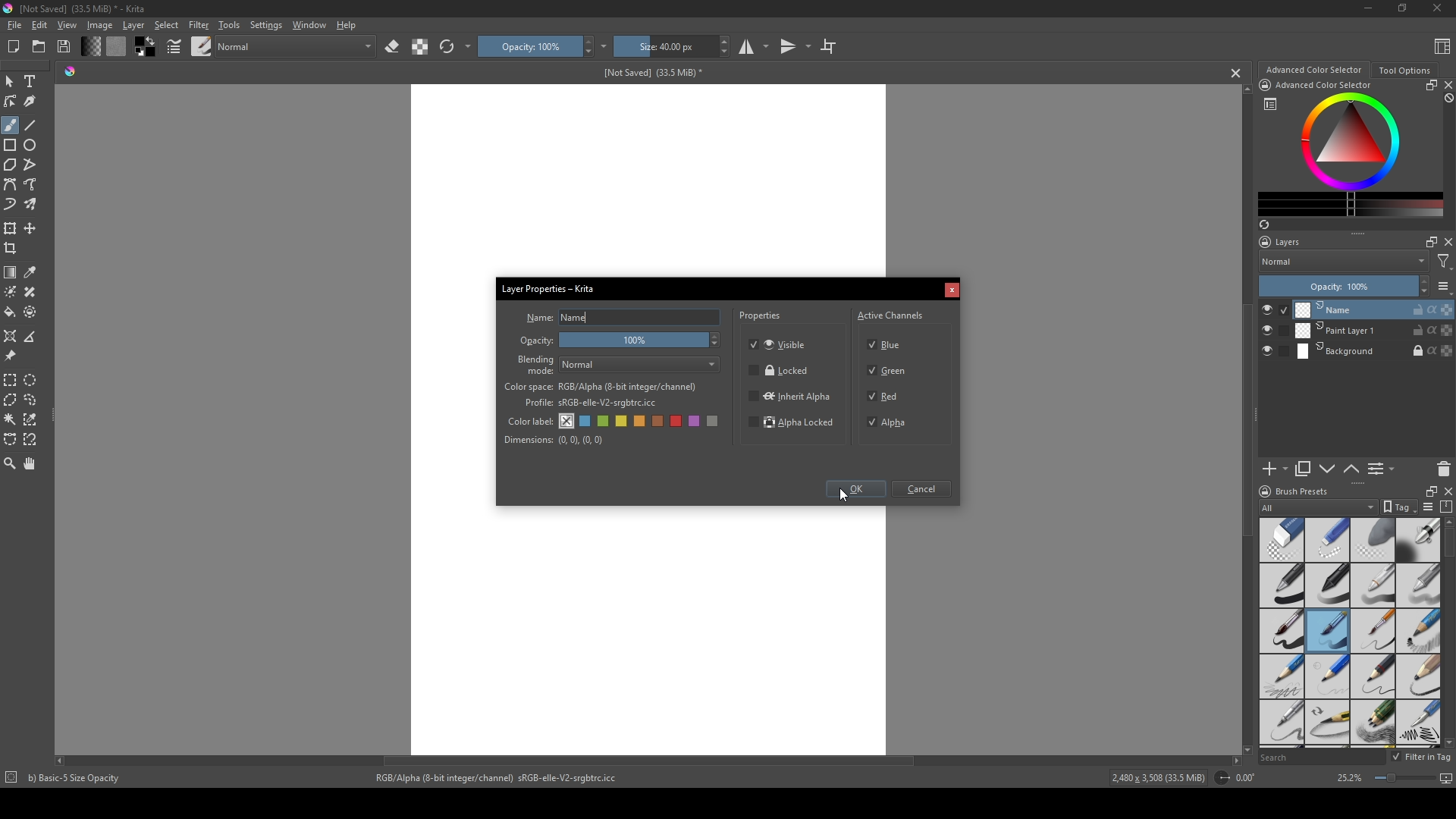 The image size is (1456, 819). Describe the element at coordinates (10, 463) in the screenshot. I see `zoom` at that location.